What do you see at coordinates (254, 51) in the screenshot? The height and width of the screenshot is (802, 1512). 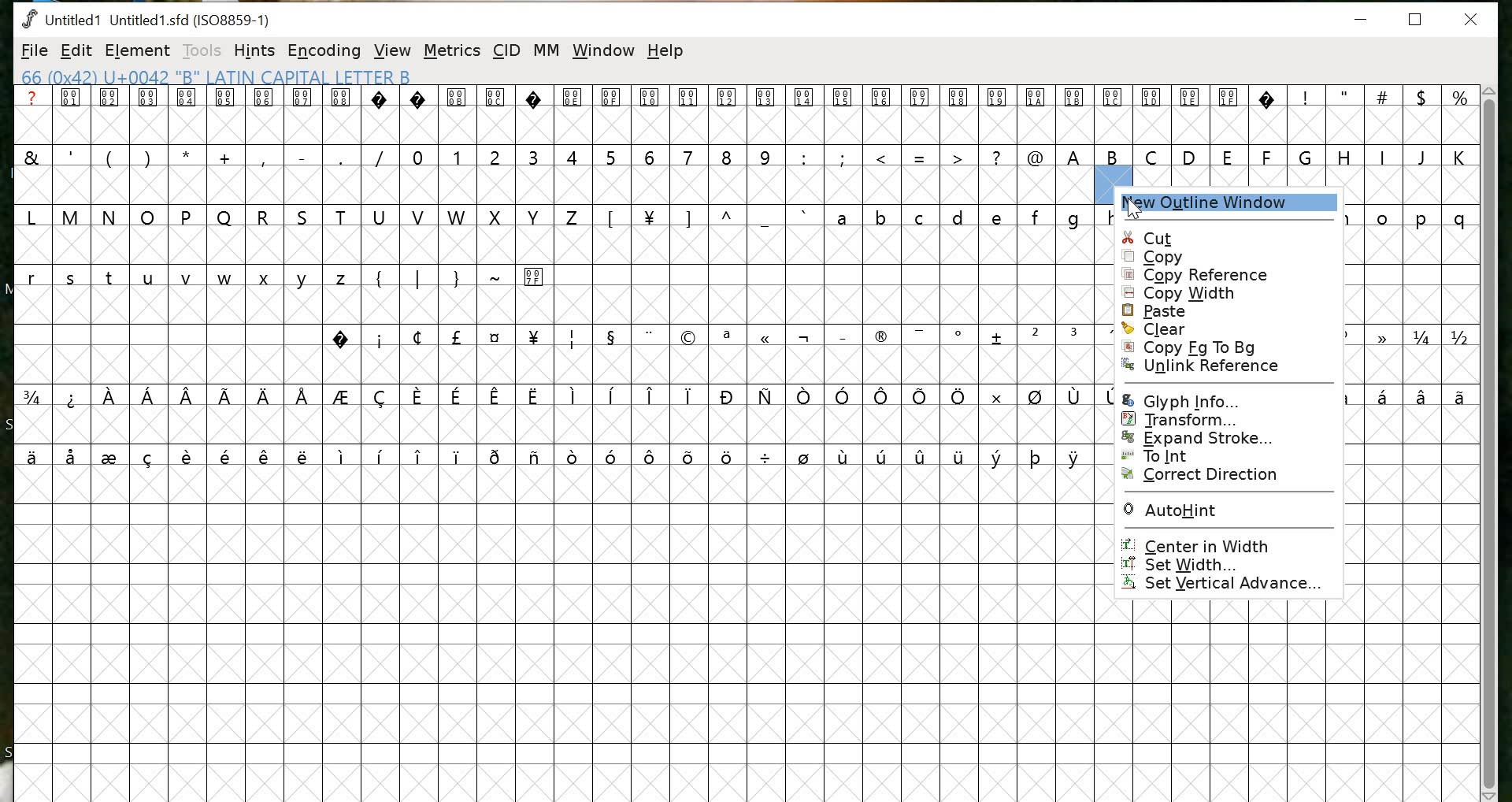 I see `HINTS` at bounding box center [254, 51].